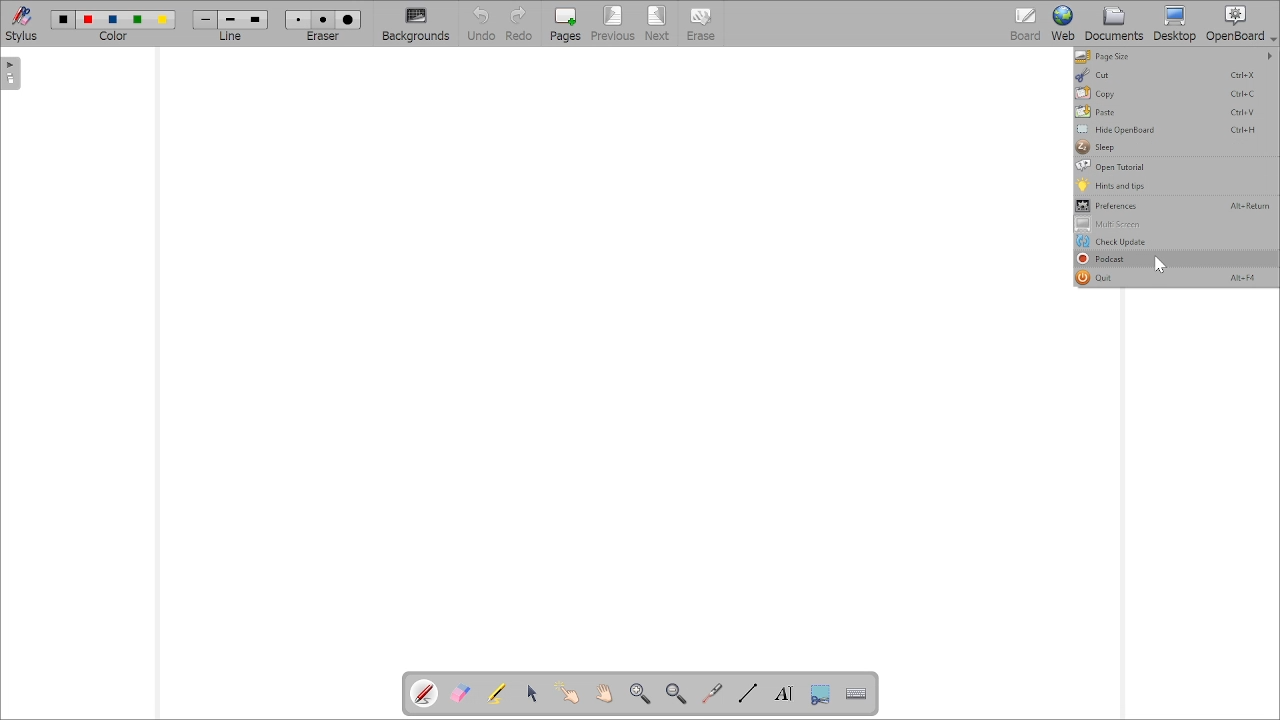 The height and width of the screenshot is (720, 1280). Describe the element at coordinates (1176, 111) in the screenshot. I see `Paste` at that location.